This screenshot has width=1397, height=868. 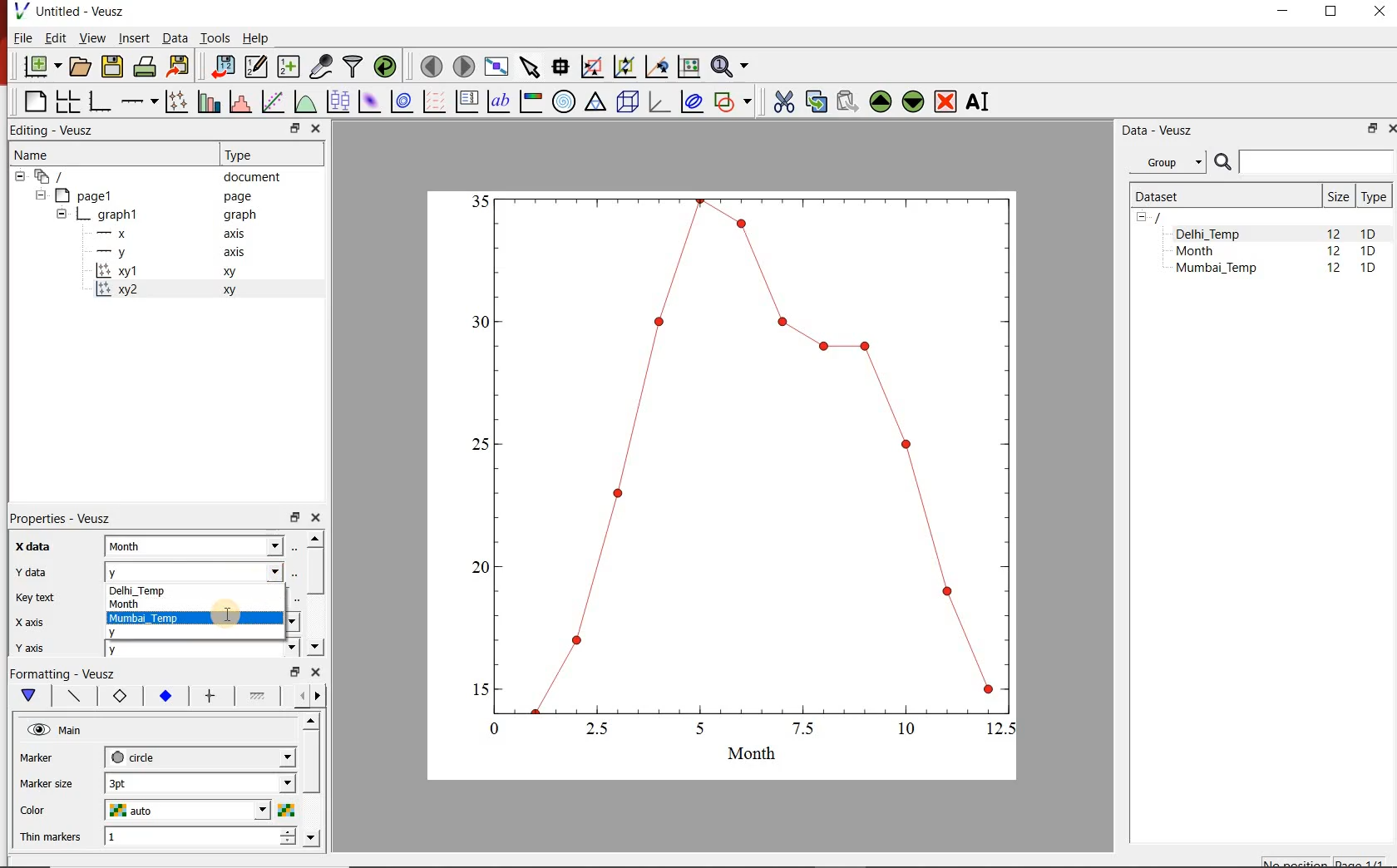 What do you see at coordinates (164, 234) in the screenshot?
I see `-x axis` at bounding box center [164, 234].